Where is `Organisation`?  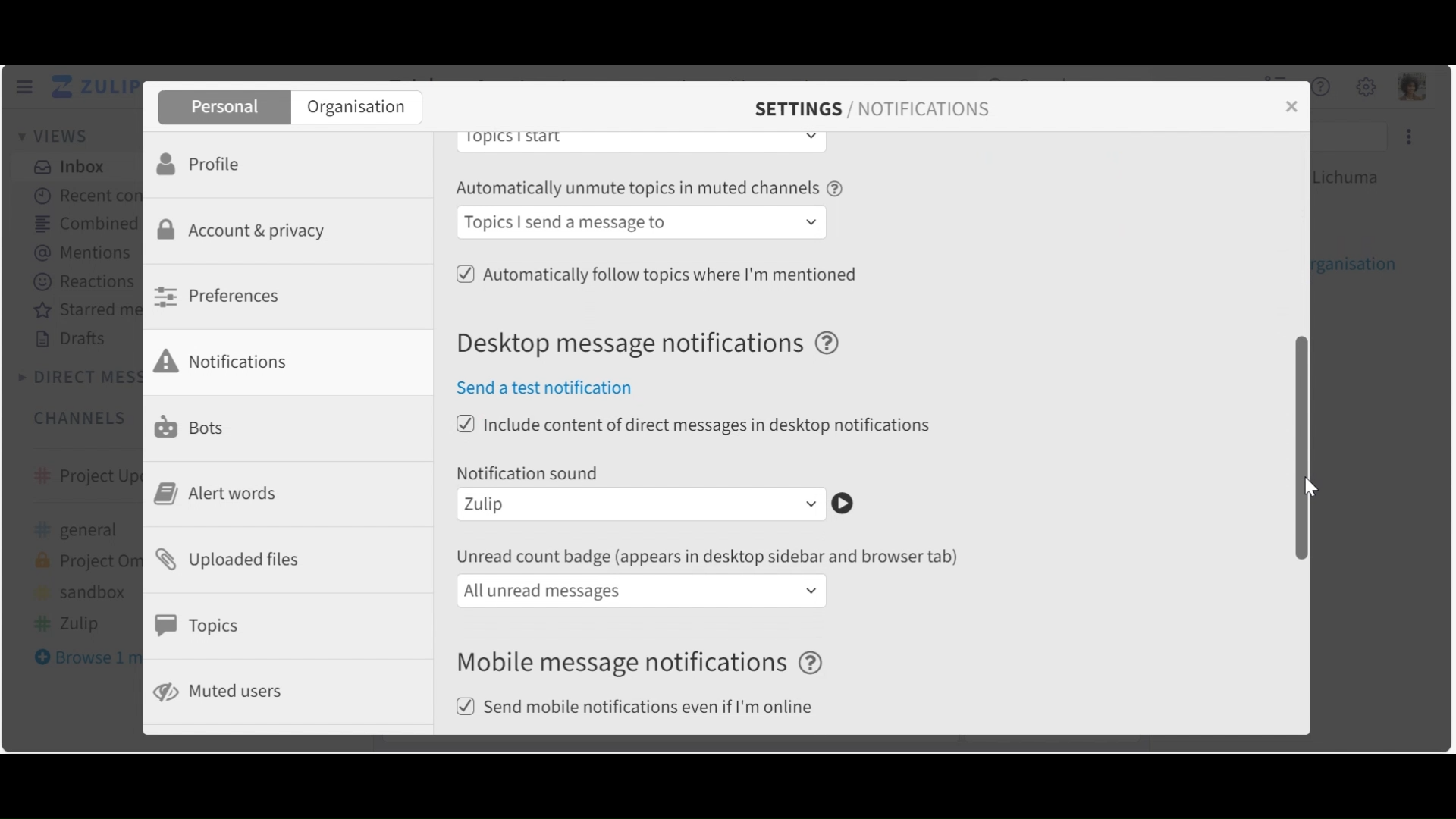
Organisation is located at coordinates (356, 108).